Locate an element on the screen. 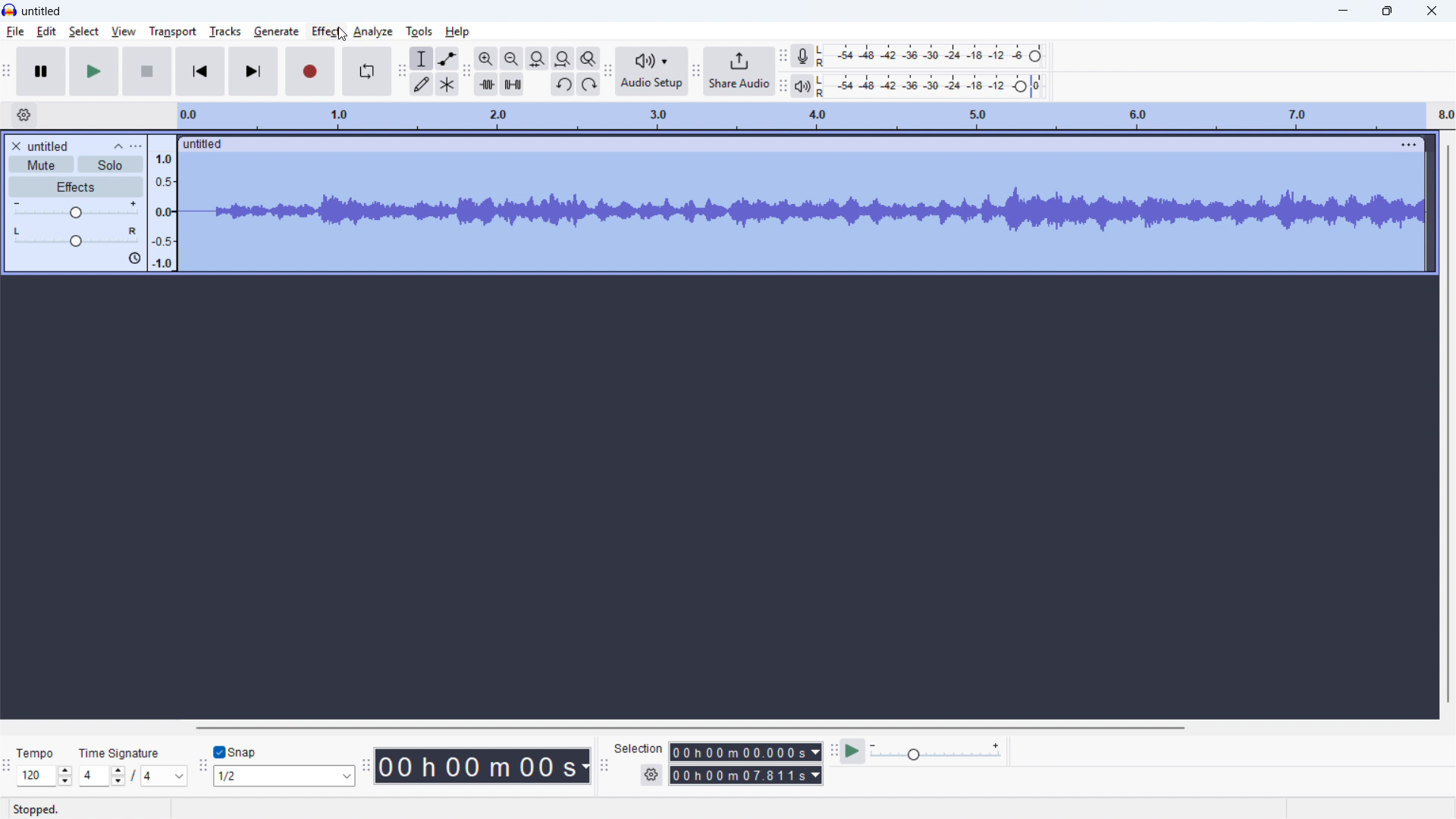 Image resolution: width=1456 pixels, height=819 pixels. Playback metre toolbar  is located at coordinates (782, 88).